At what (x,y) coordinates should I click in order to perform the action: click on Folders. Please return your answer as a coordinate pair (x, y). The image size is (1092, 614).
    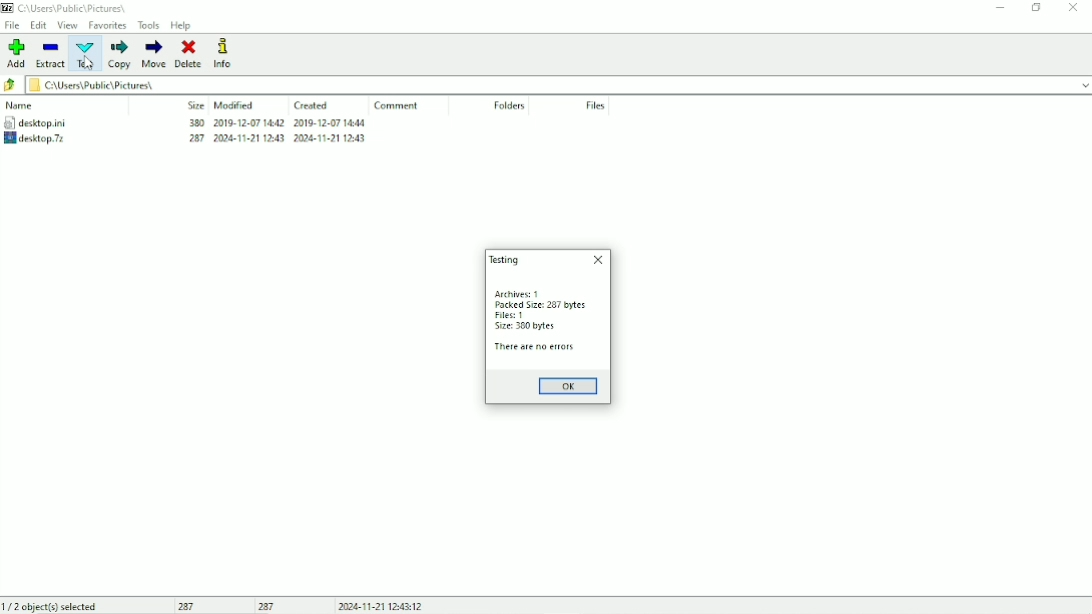
    Looking at the image, I should click on (509, 107).